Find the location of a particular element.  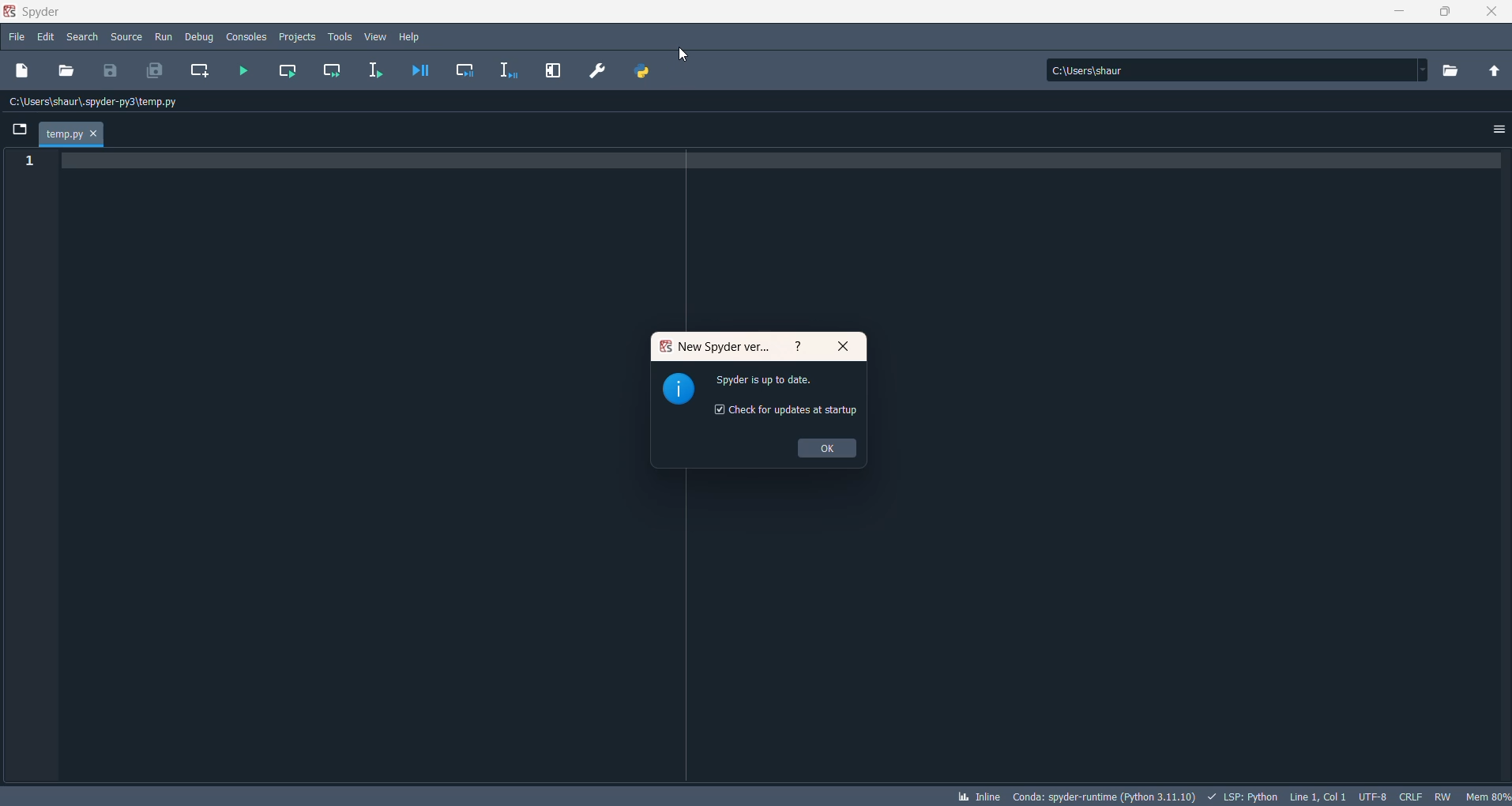

file tab is located at coordinates (71, 134).